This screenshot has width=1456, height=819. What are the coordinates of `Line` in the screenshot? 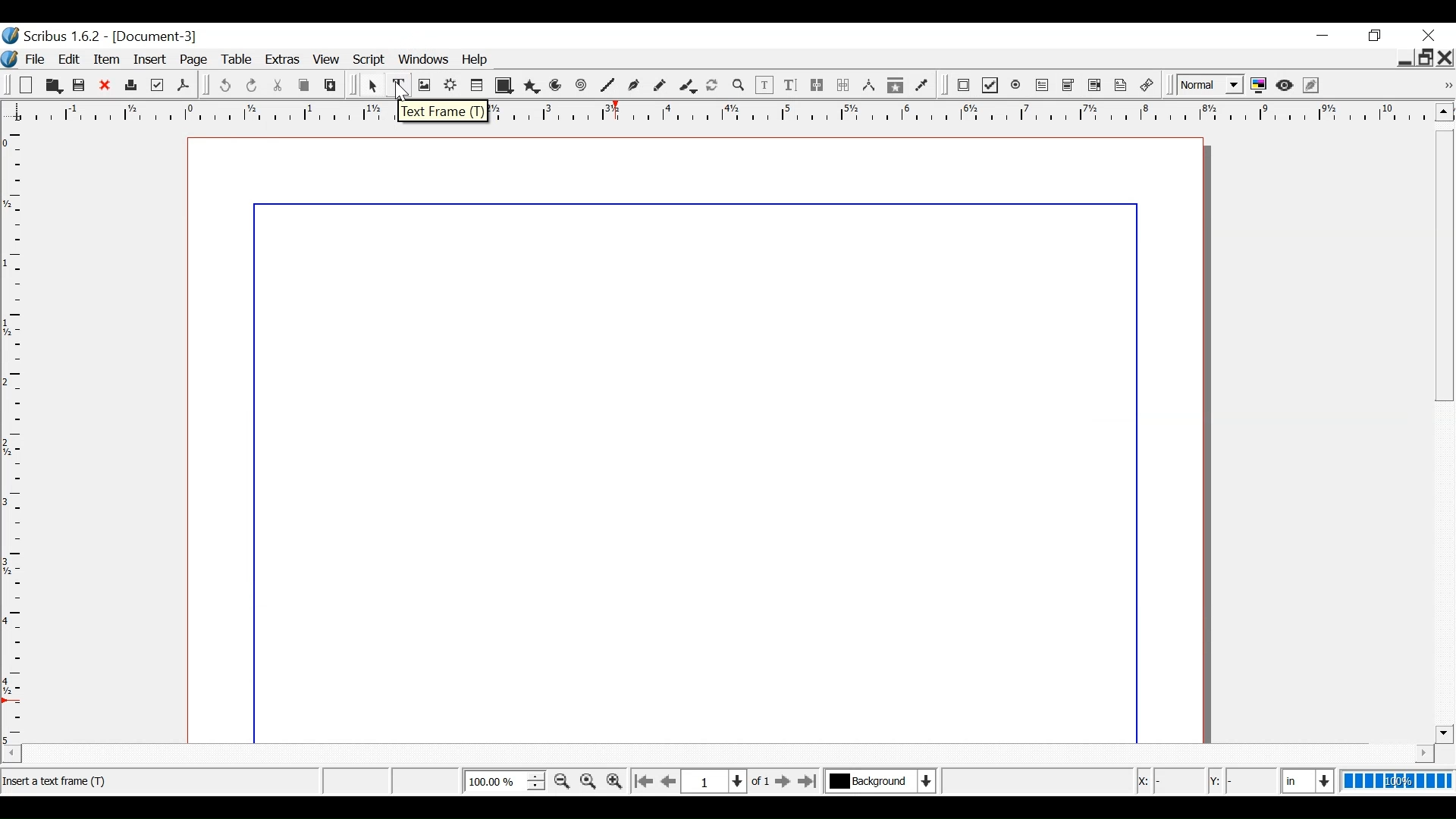 It's located at (606, 86).